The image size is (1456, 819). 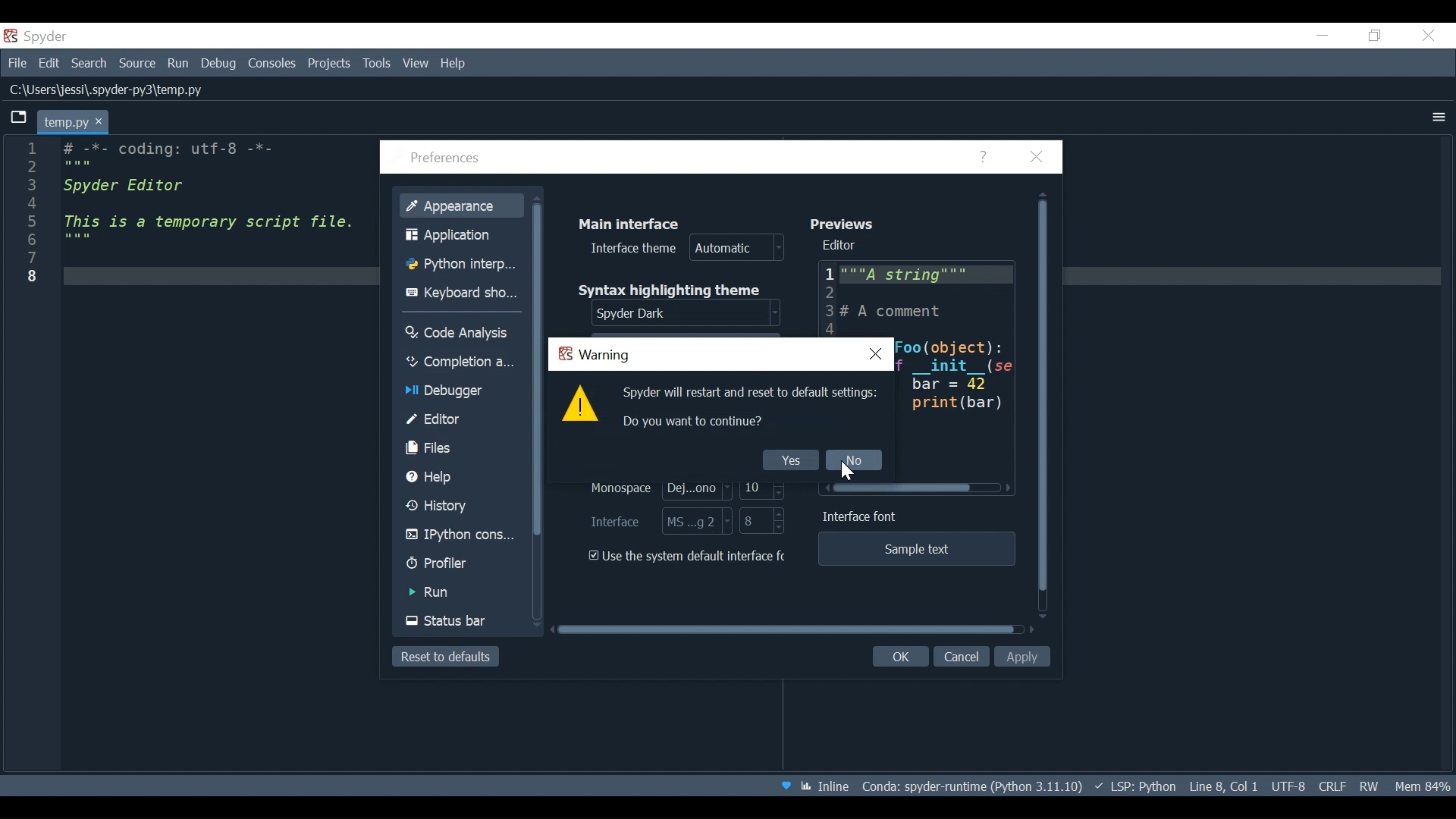 What do you see at coordinates (180, 64) in the screenshot?
I see `Run` at bounding box center [180, 64].